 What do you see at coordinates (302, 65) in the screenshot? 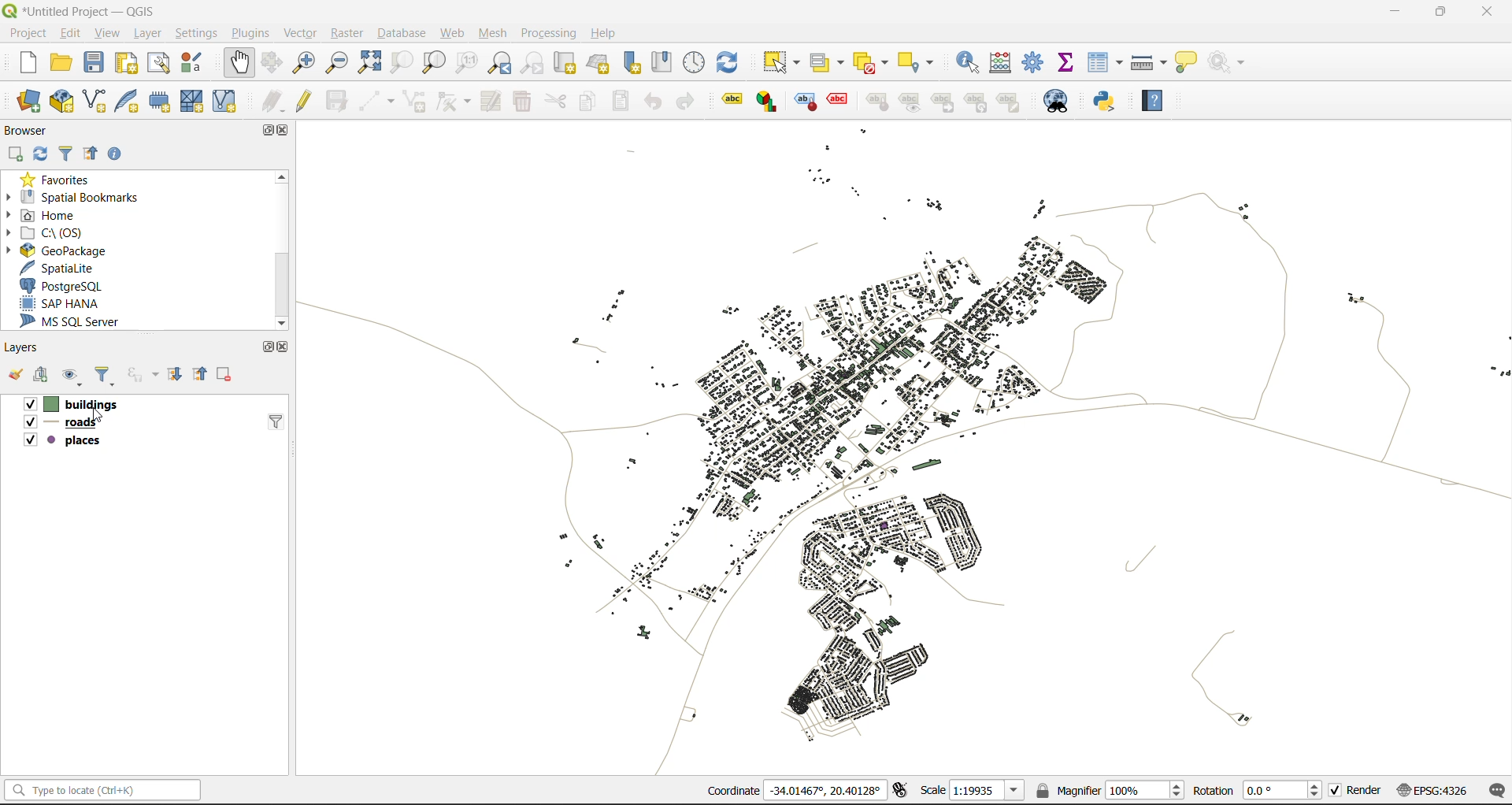
I see `zoom in` at bounding box center [302, 65].